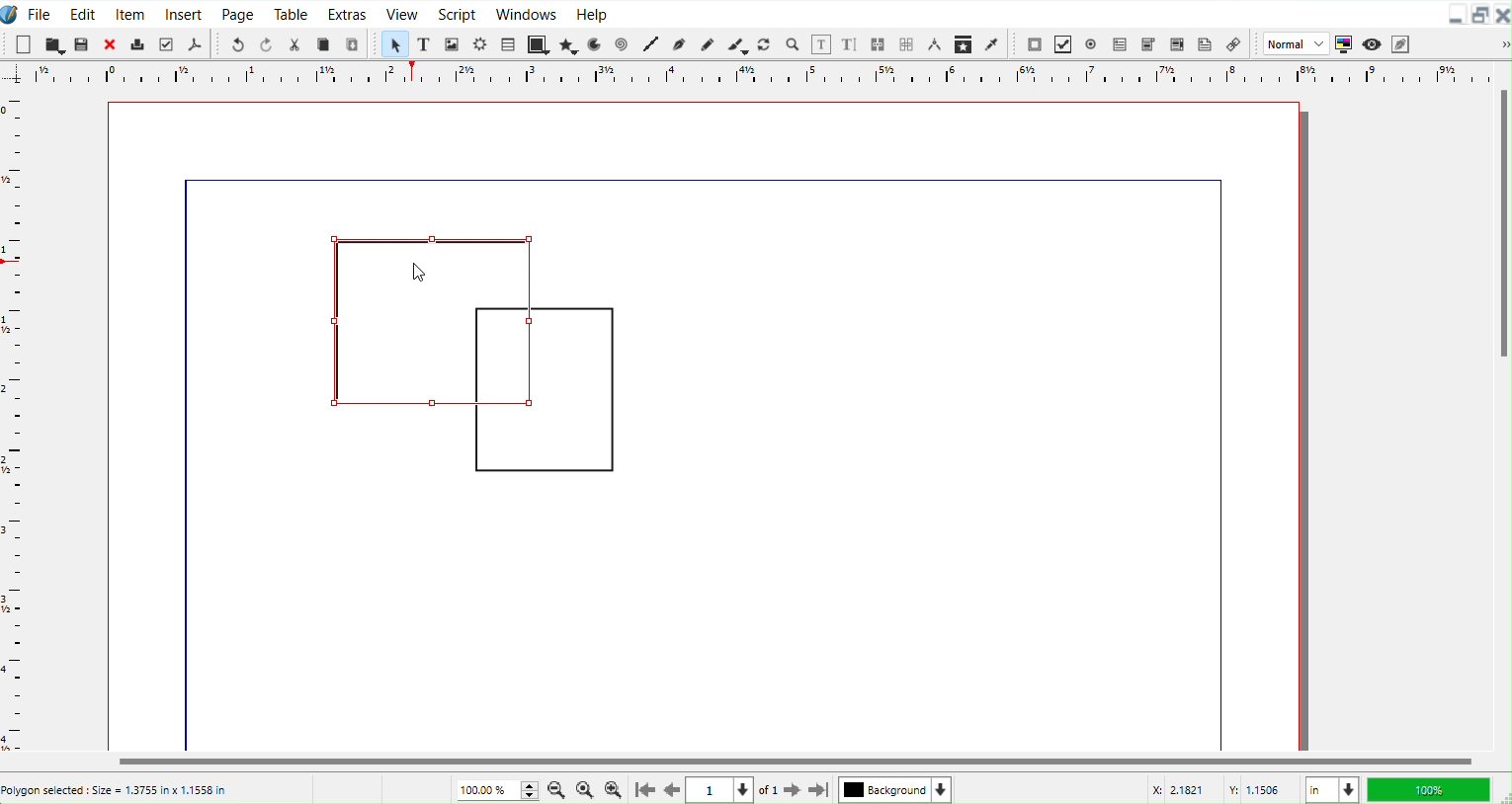 This screenshot has height=804, width=1512. Describe the element at coordinates (266, 43) in the screenshot. I see `Redo` at that location.